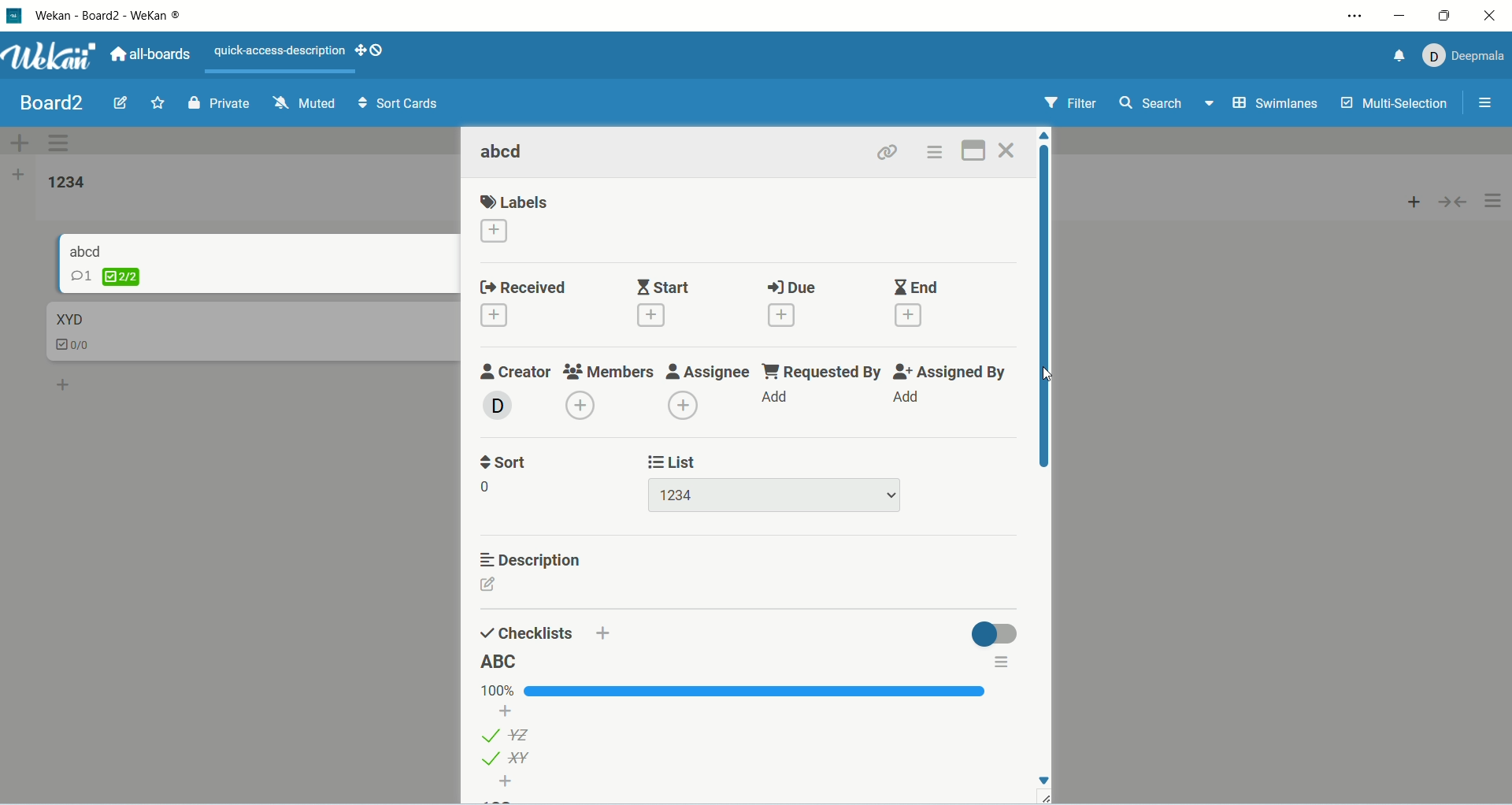 This screenshot has width=1512, height=805. I want to click on account, so click(1464, 56).